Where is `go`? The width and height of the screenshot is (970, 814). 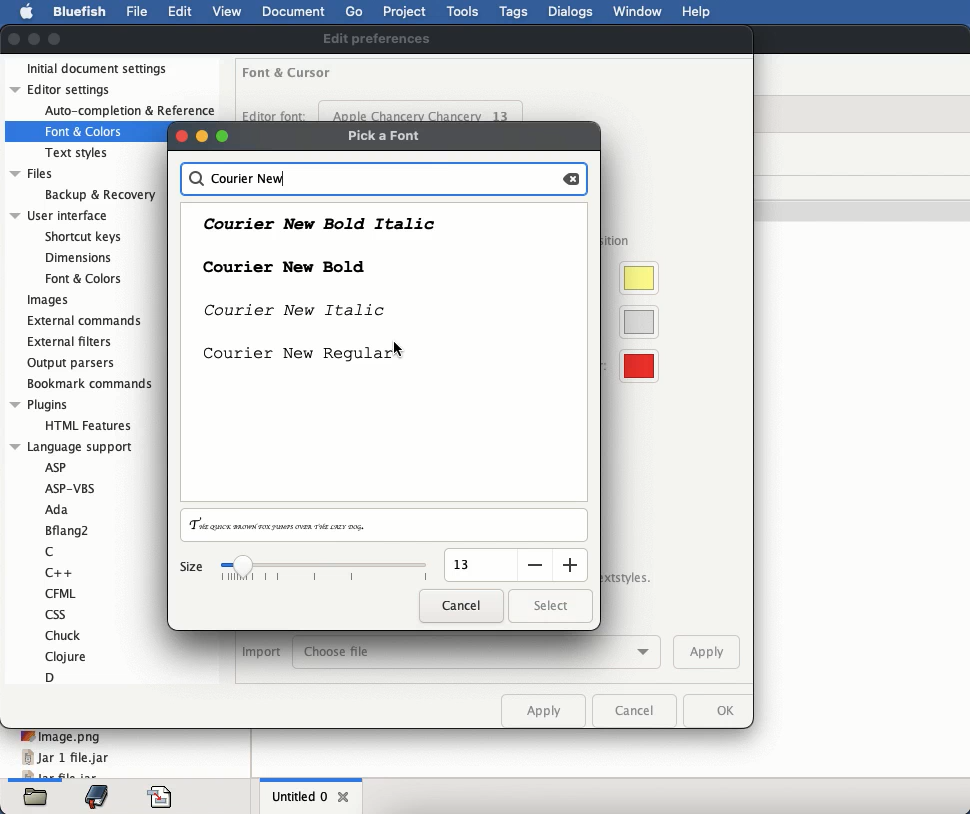 go is located at coordinates (355, 11).